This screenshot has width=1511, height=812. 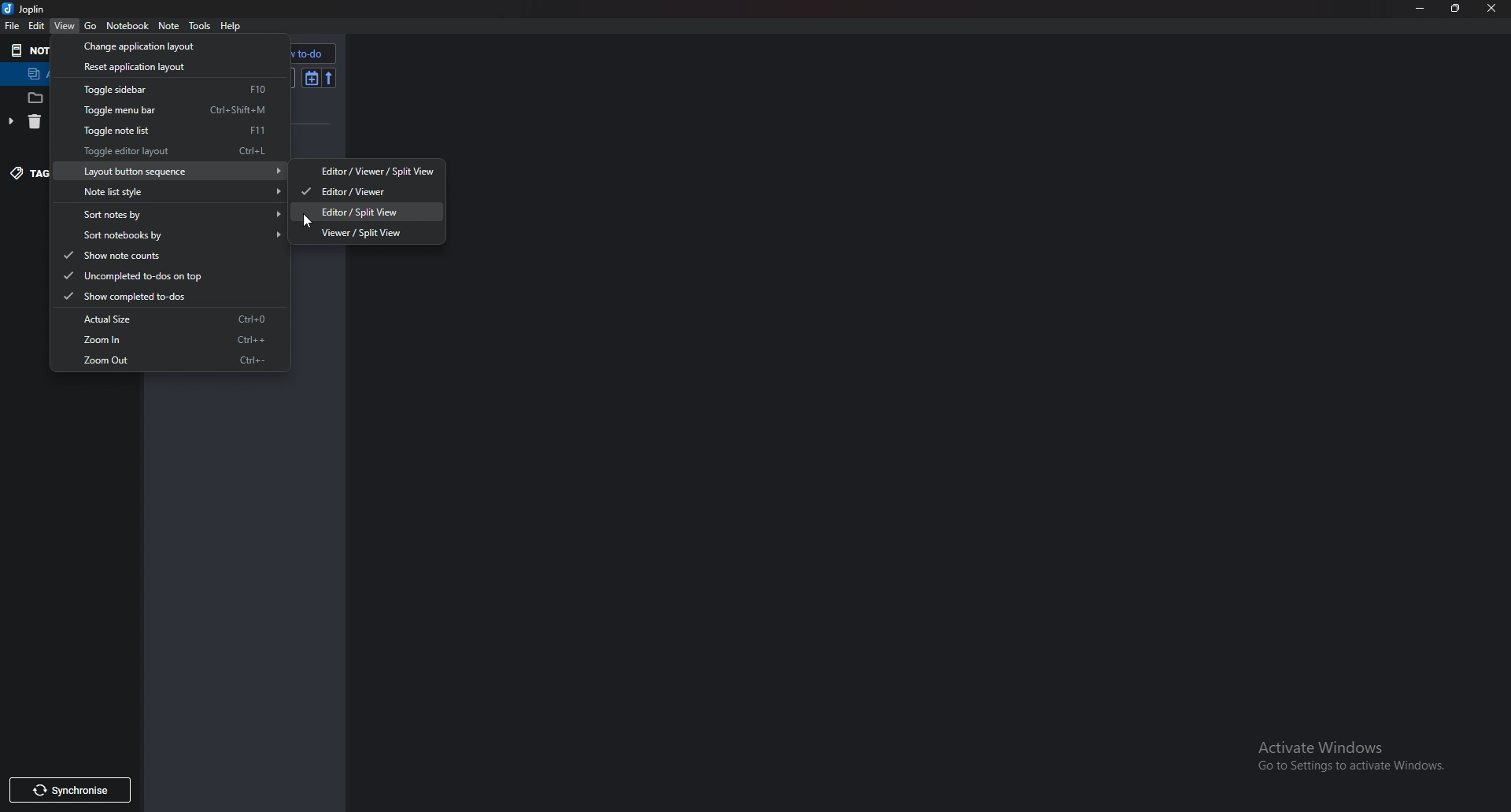 I want to click on Show completed to do, so click(x=157, y=296).